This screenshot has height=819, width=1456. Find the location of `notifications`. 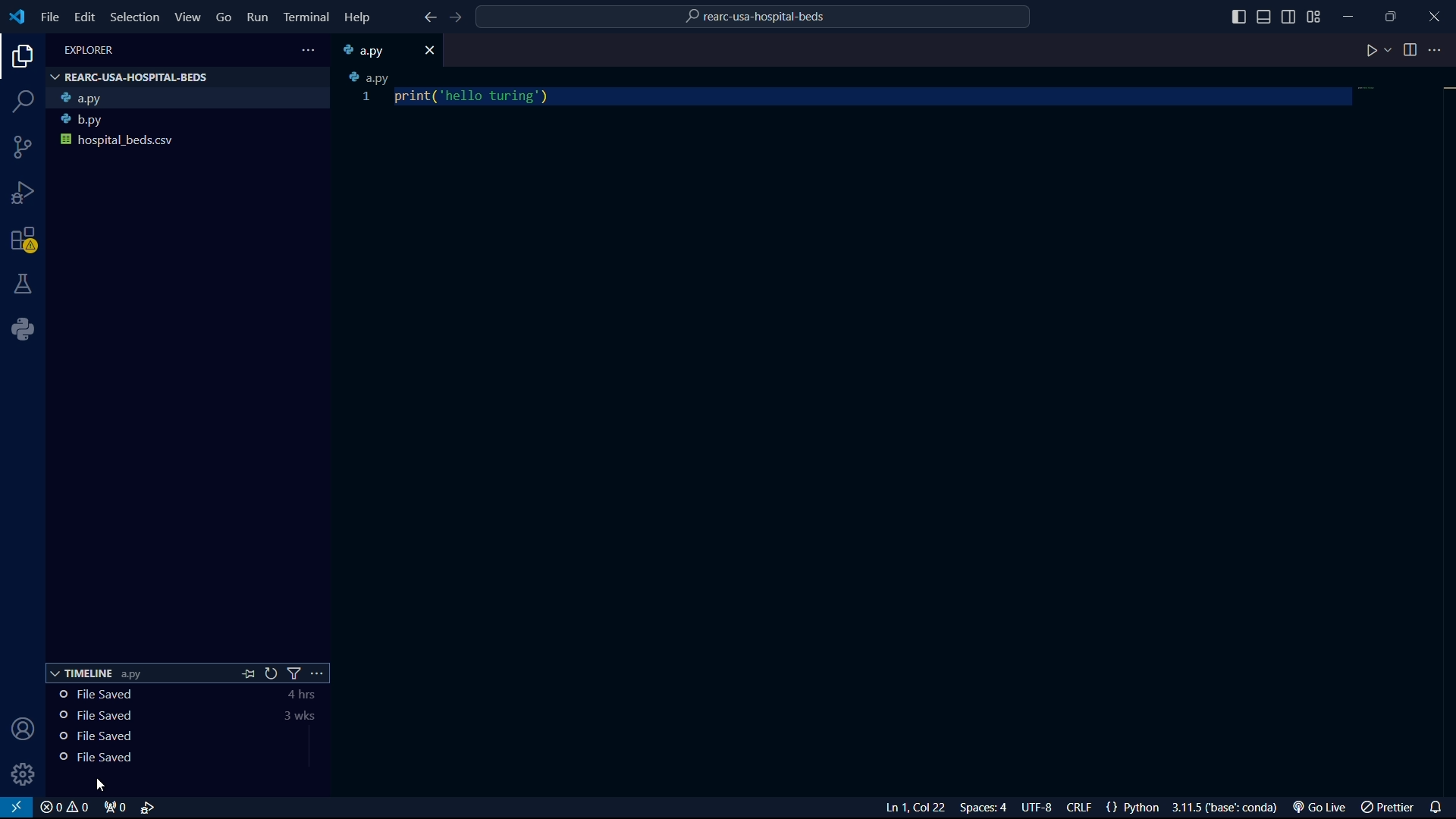

notifications is located at coordinates (1438, 807).